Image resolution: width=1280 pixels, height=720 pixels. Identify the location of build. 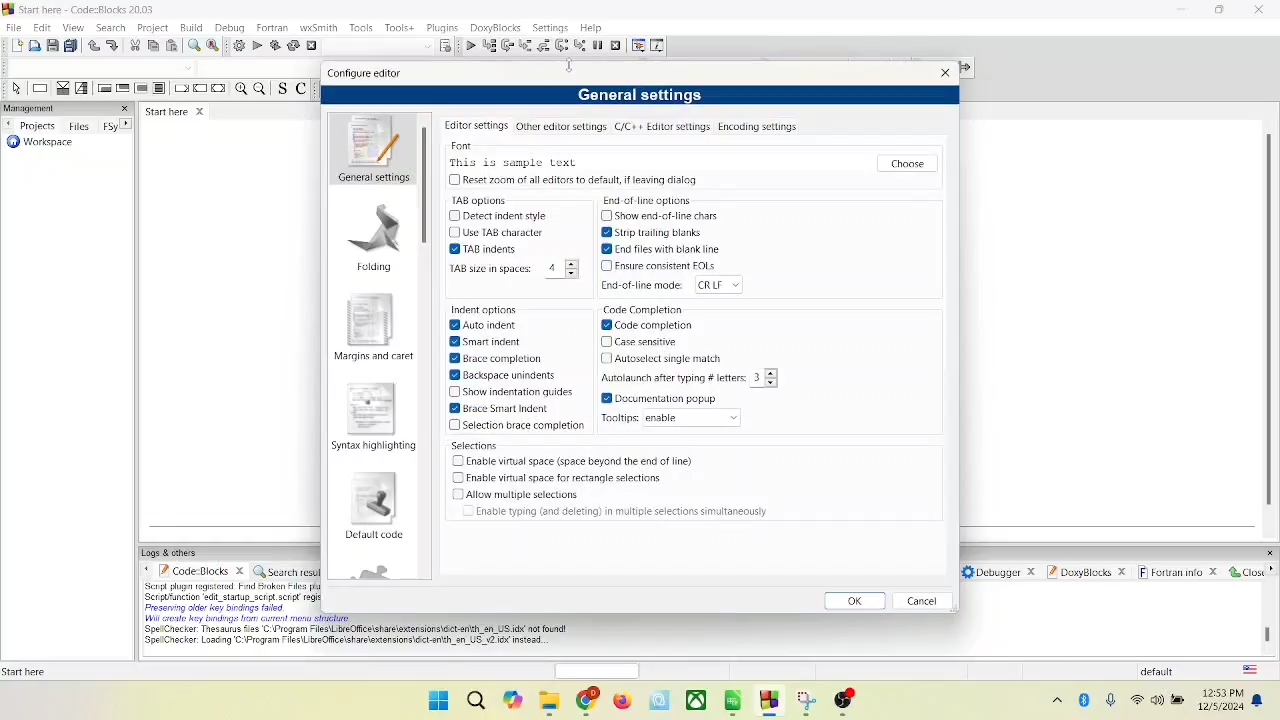
(191, 27).